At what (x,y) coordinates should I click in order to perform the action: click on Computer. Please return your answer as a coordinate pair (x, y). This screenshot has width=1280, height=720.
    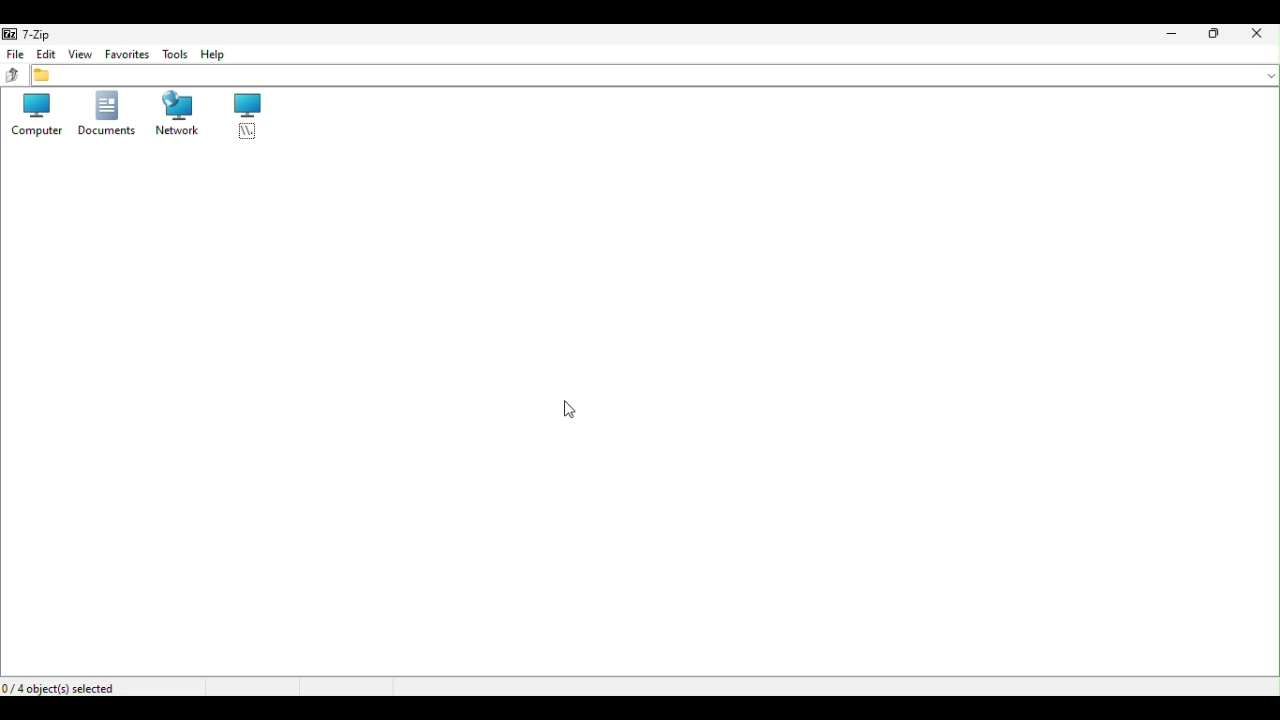
    Looking at the image, I should click on (34, 115).